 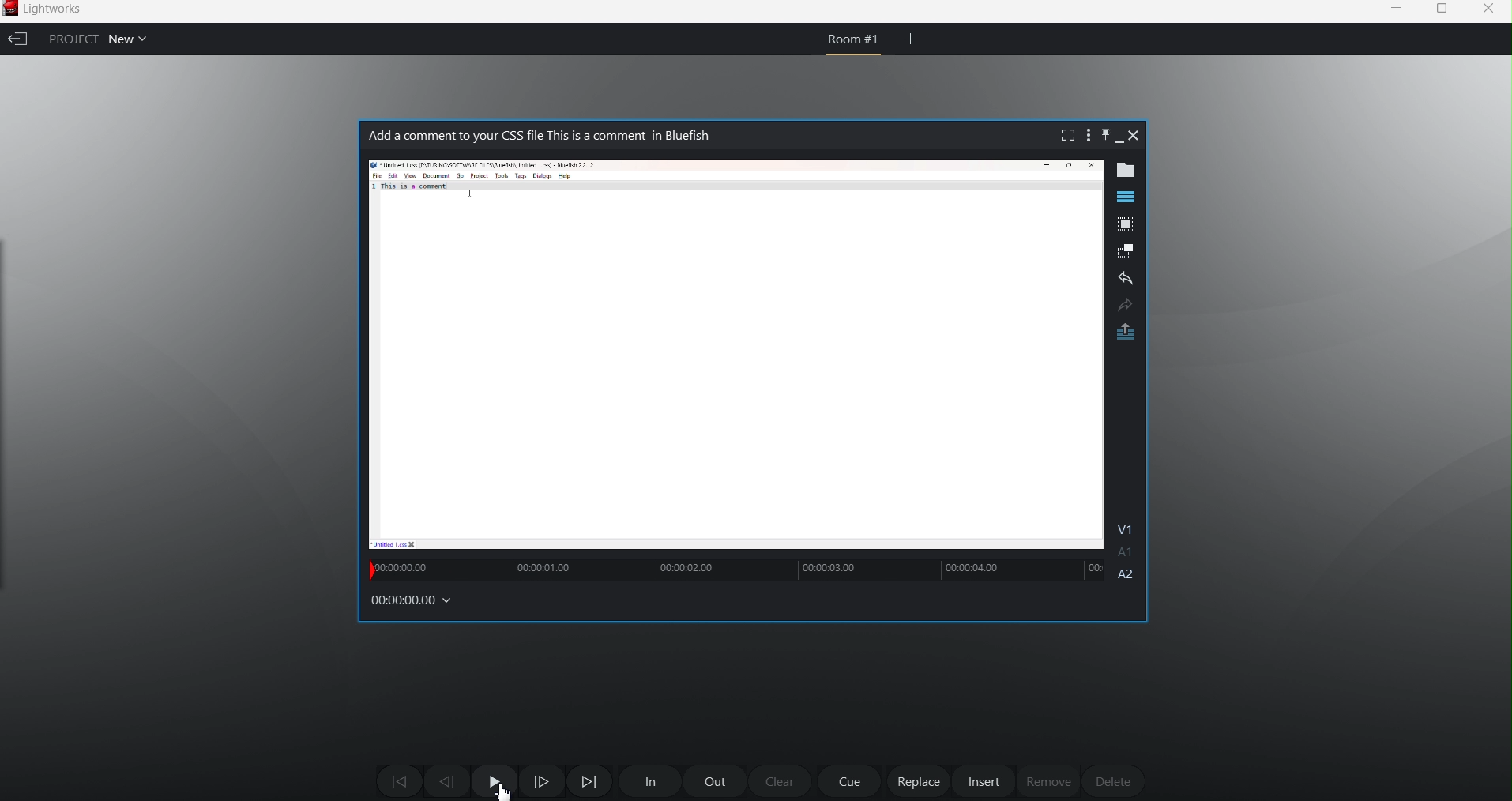 I want to click on replace, so click(x=920, y=782).